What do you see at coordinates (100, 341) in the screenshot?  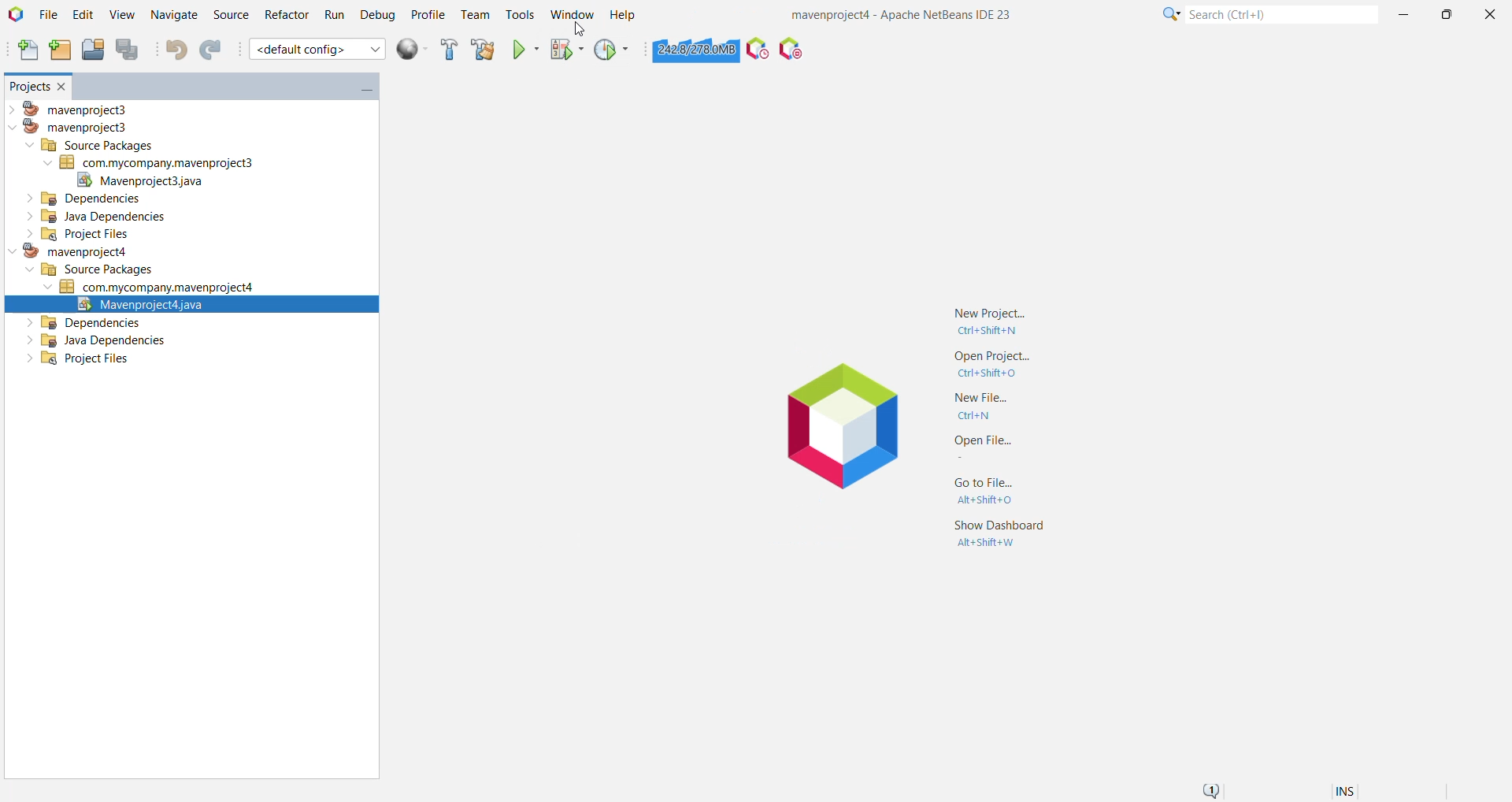 I see `Java Dependencies` at bounding box center [100, 341].